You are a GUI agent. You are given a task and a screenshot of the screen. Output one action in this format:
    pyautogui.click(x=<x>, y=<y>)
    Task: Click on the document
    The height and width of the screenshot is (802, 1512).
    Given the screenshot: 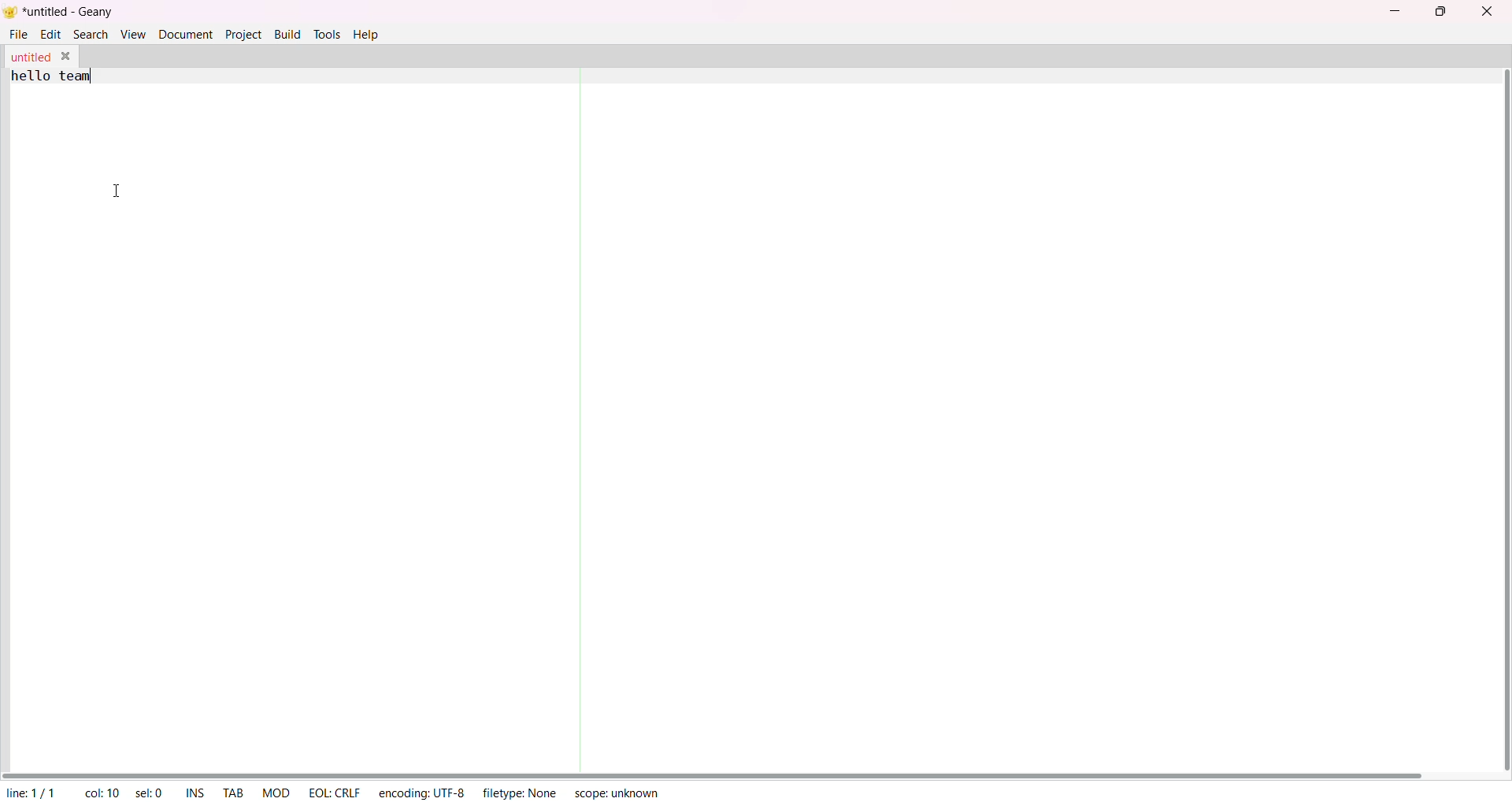 What is the action you would take?
    pyautogui.click(x=185, y=33)
    